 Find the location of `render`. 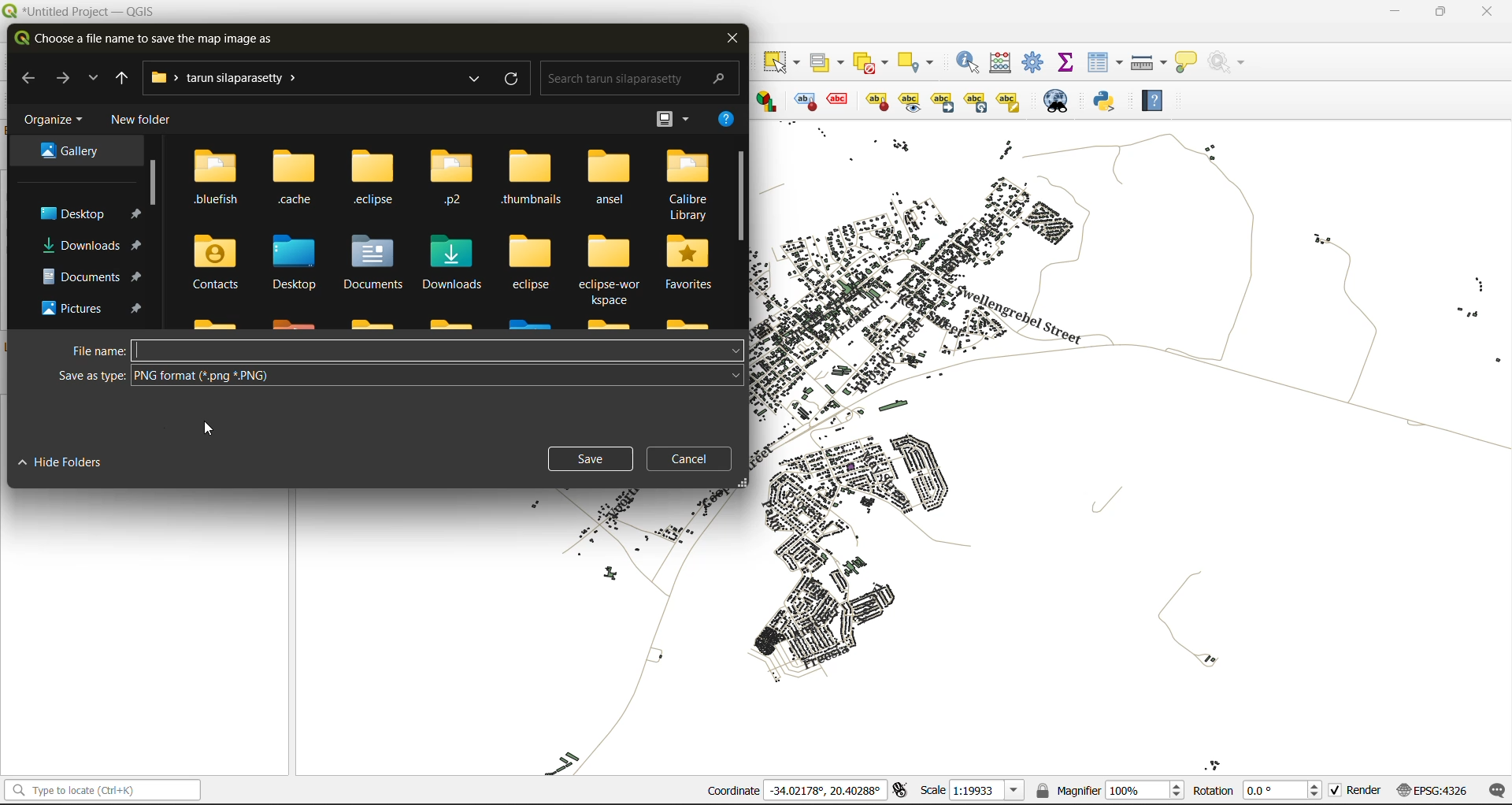

render is located at coordinates (1352, 793).